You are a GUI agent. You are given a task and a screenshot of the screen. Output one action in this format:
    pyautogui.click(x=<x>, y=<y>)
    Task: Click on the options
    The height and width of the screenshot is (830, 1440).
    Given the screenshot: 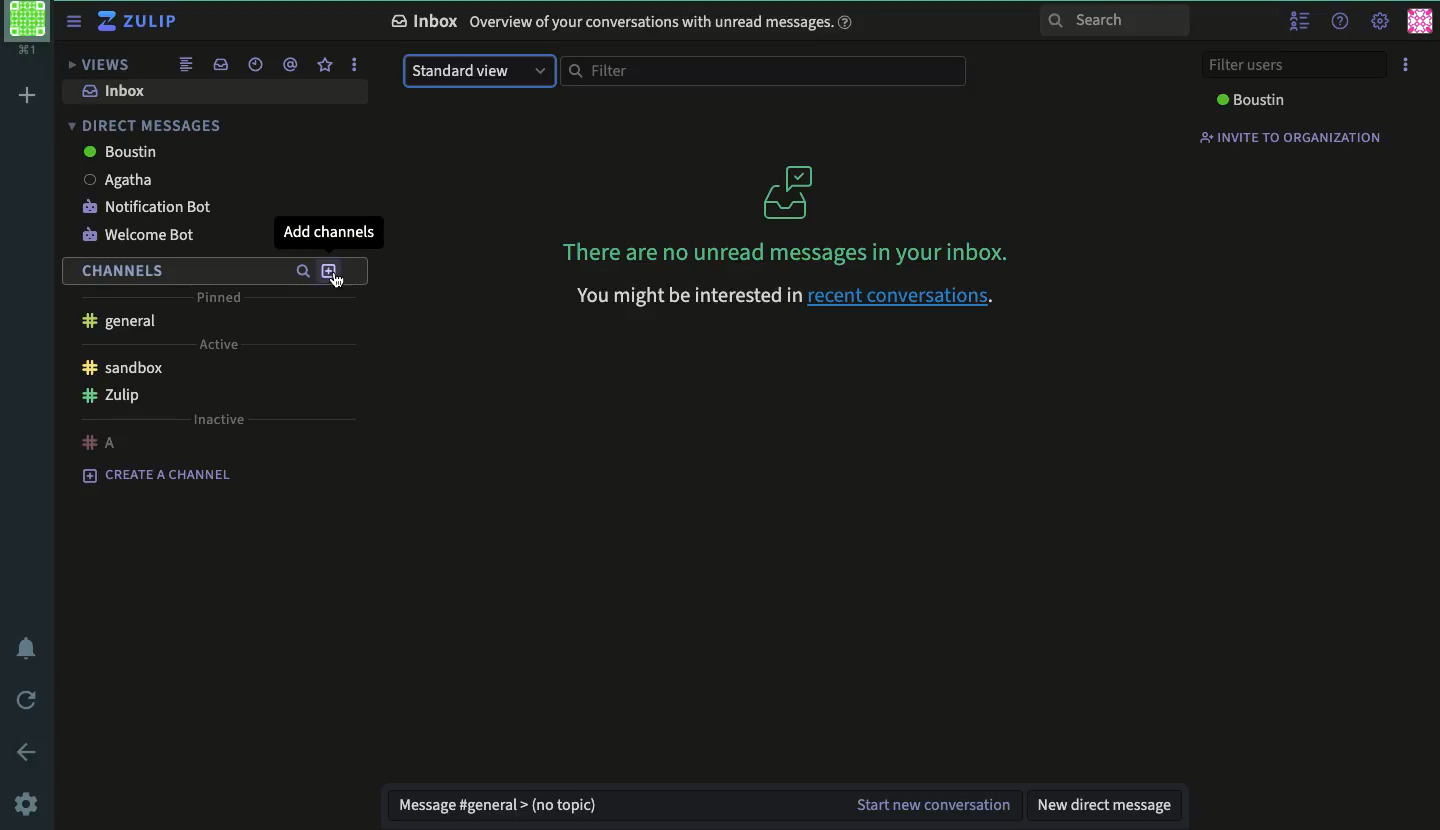 What is the action you would take?
    pyautogui.click(x=1404, y=65)
    